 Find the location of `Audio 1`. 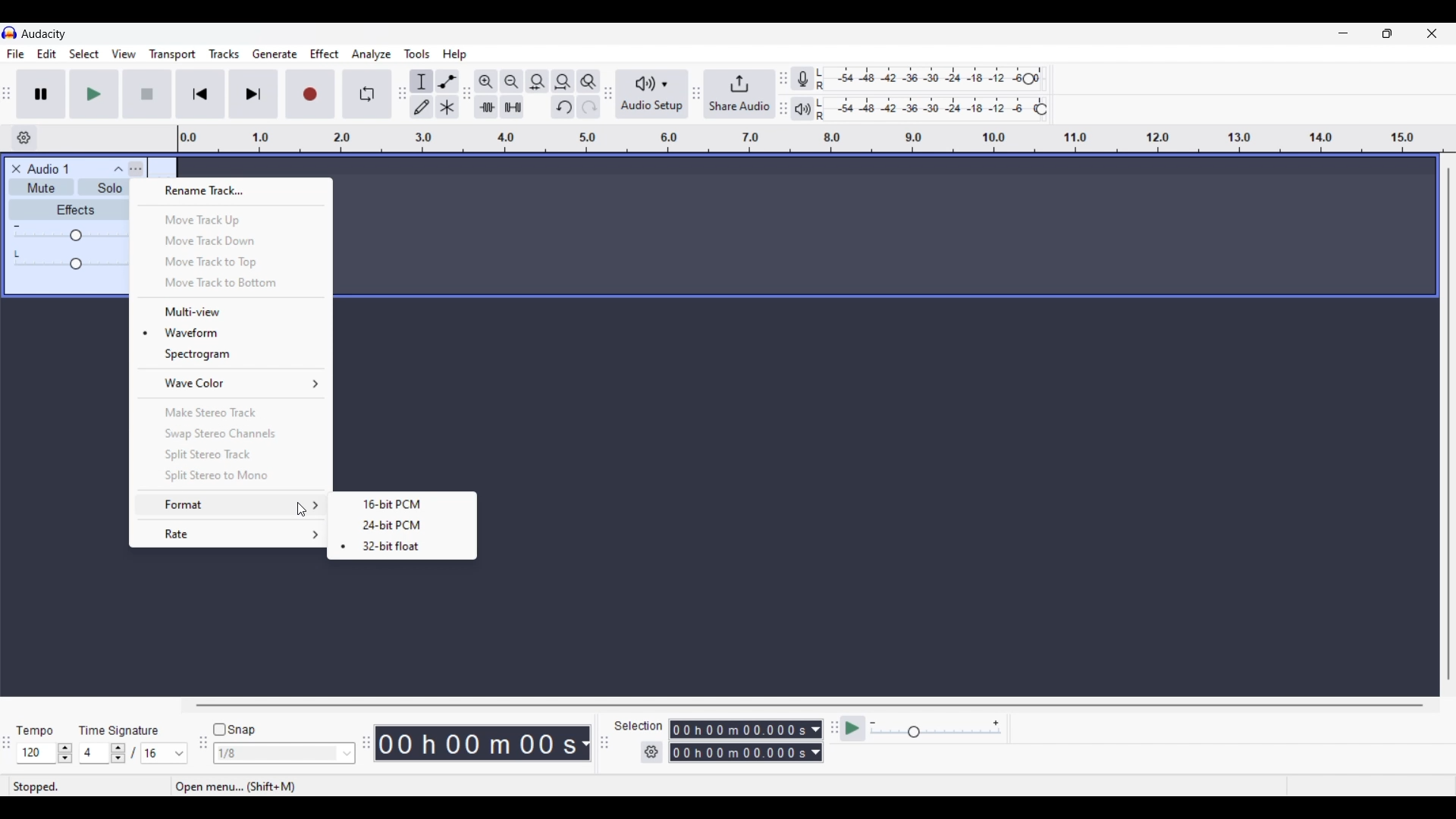

Audio 1 is located at coordinates (55, 169).